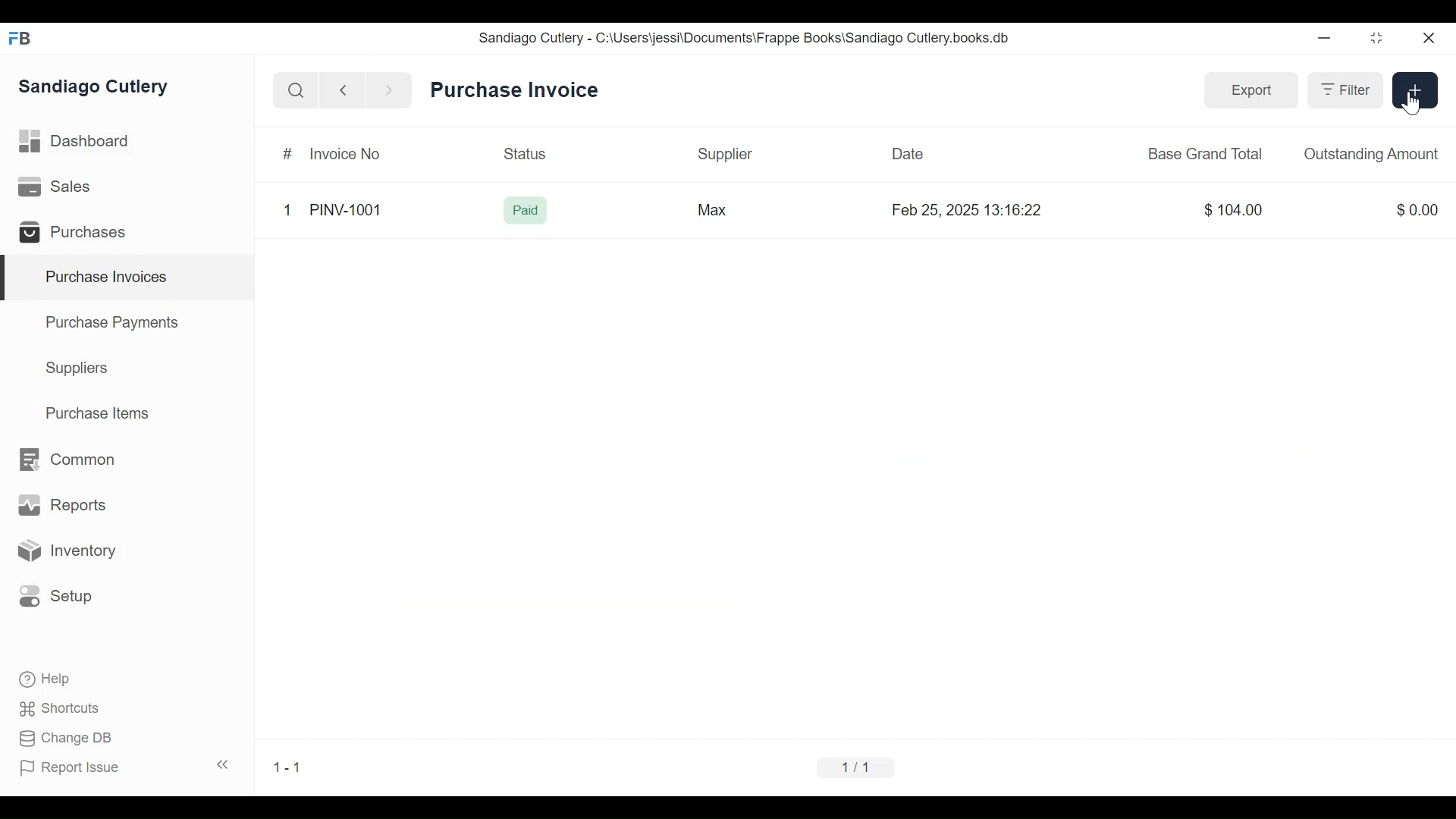 Image resolution: width=1456 pixels, height=819 pixels. Describe the element at coordinates (726, 155) in the screenshot. I see `Supplier` at that location.